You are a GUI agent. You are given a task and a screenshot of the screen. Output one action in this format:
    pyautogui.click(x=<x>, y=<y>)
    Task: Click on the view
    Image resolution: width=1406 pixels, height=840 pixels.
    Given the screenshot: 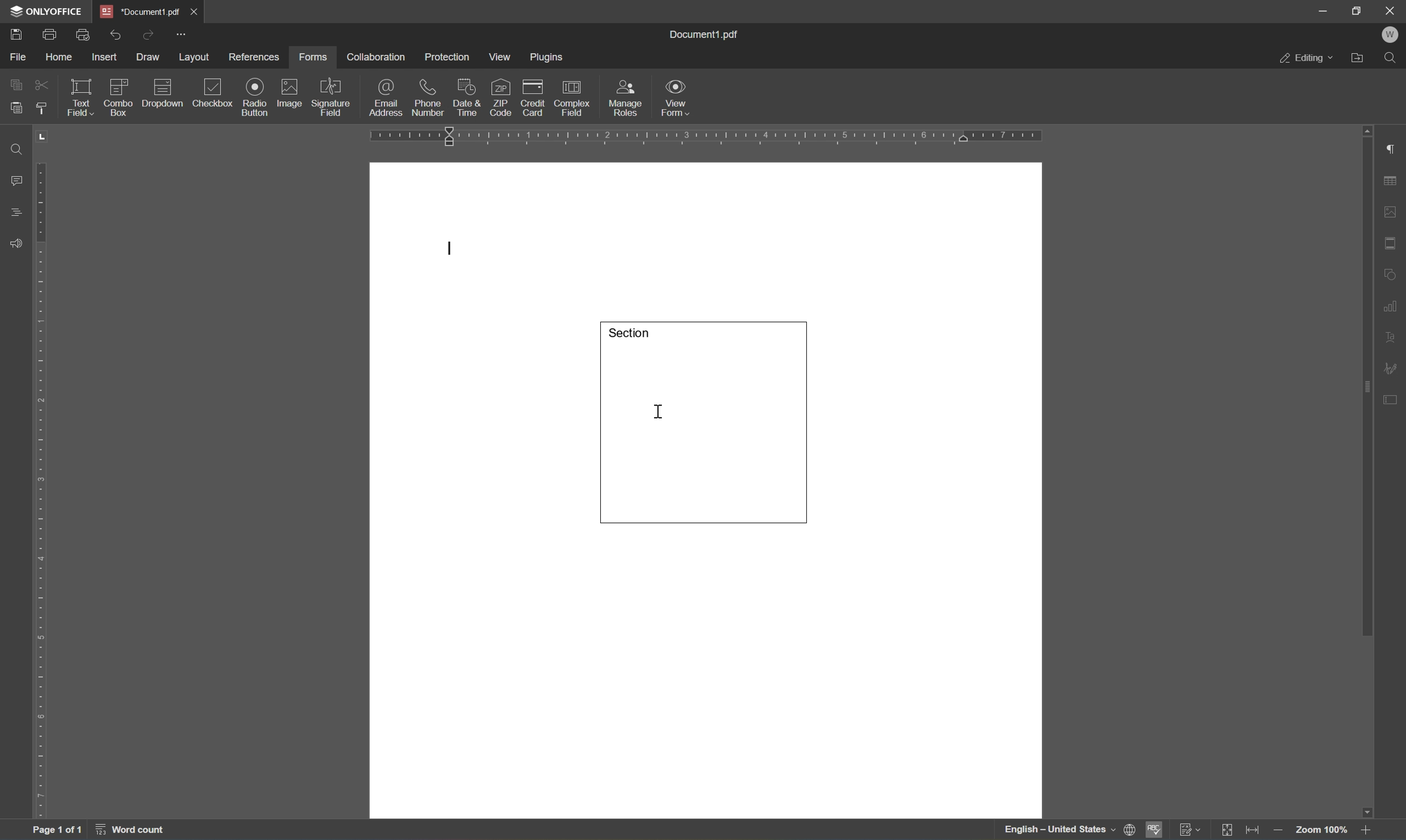 What is the action you would take?
    pyautogui.click(x=503, y=57)
    